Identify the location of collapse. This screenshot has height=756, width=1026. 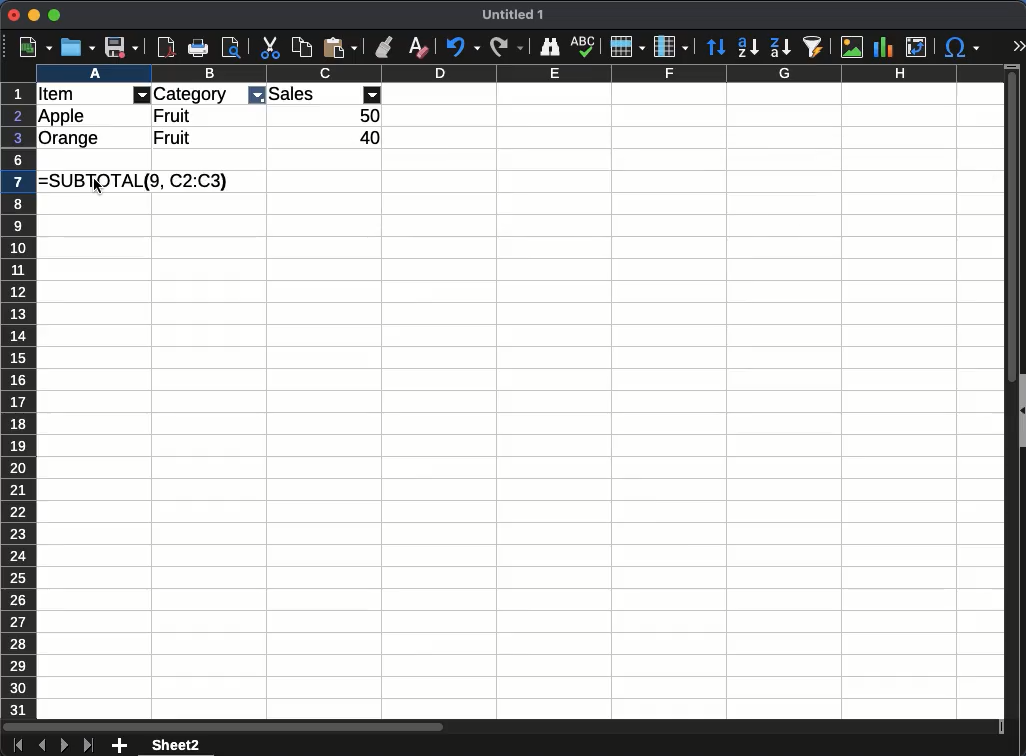
(1020, 409).